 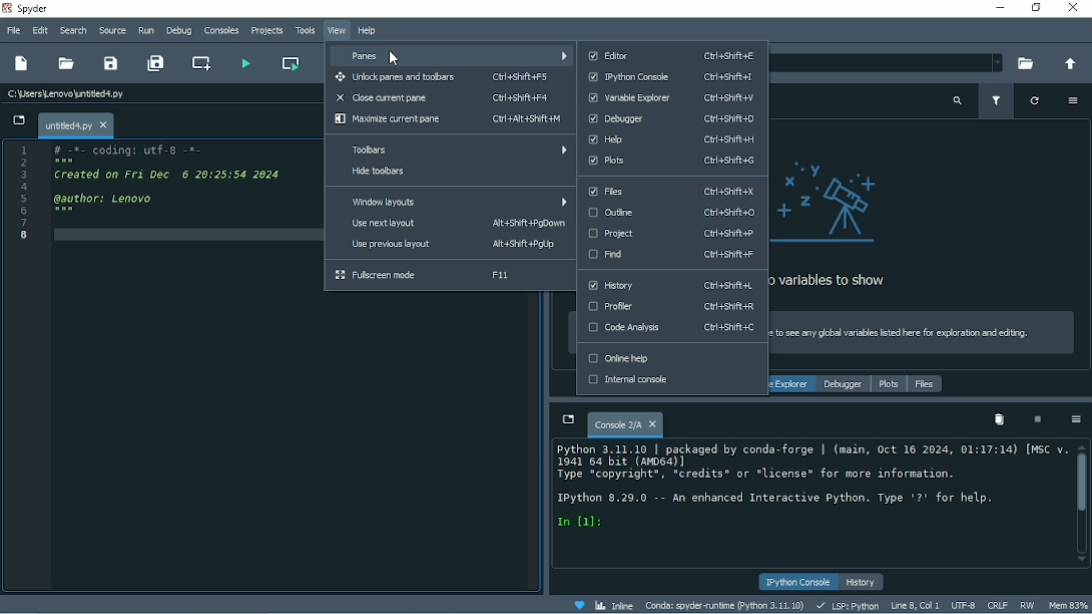 I want to click on No variables to show, so click(x=843, y=225).